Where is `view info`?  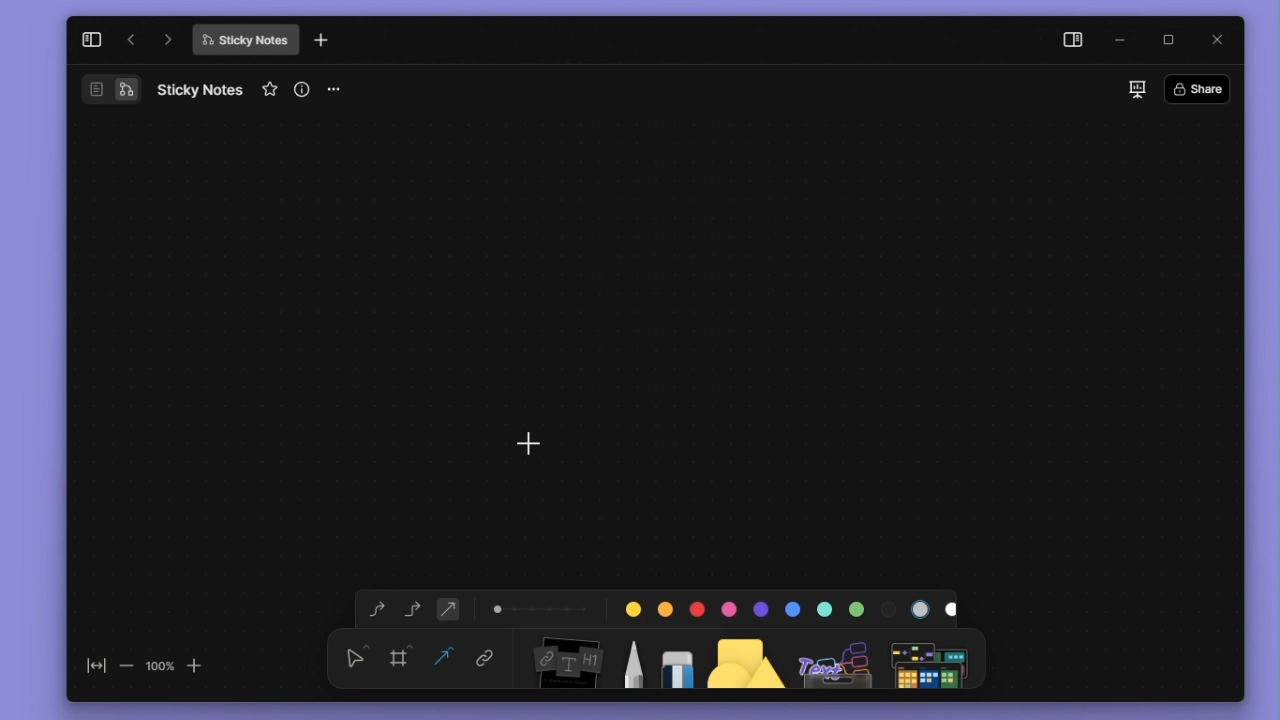 view info is located at coordinates (304, 89).